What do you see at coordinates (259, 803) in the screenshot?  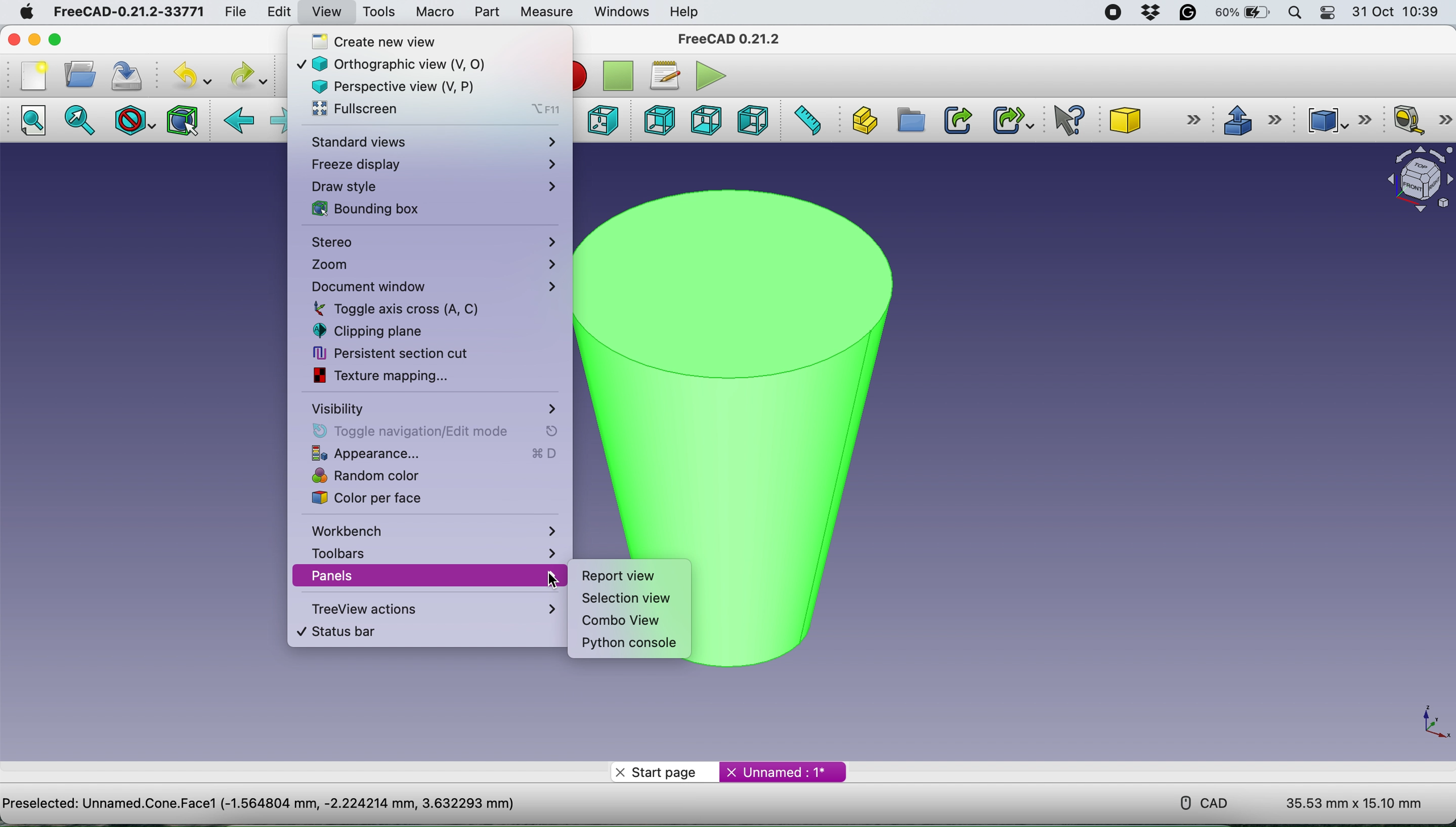 I see `preselected: unnamed.cone.face1 (-1.564804 mm, -2.224214 mm, 3.632293 mm)` at bounding box center [259, 803].